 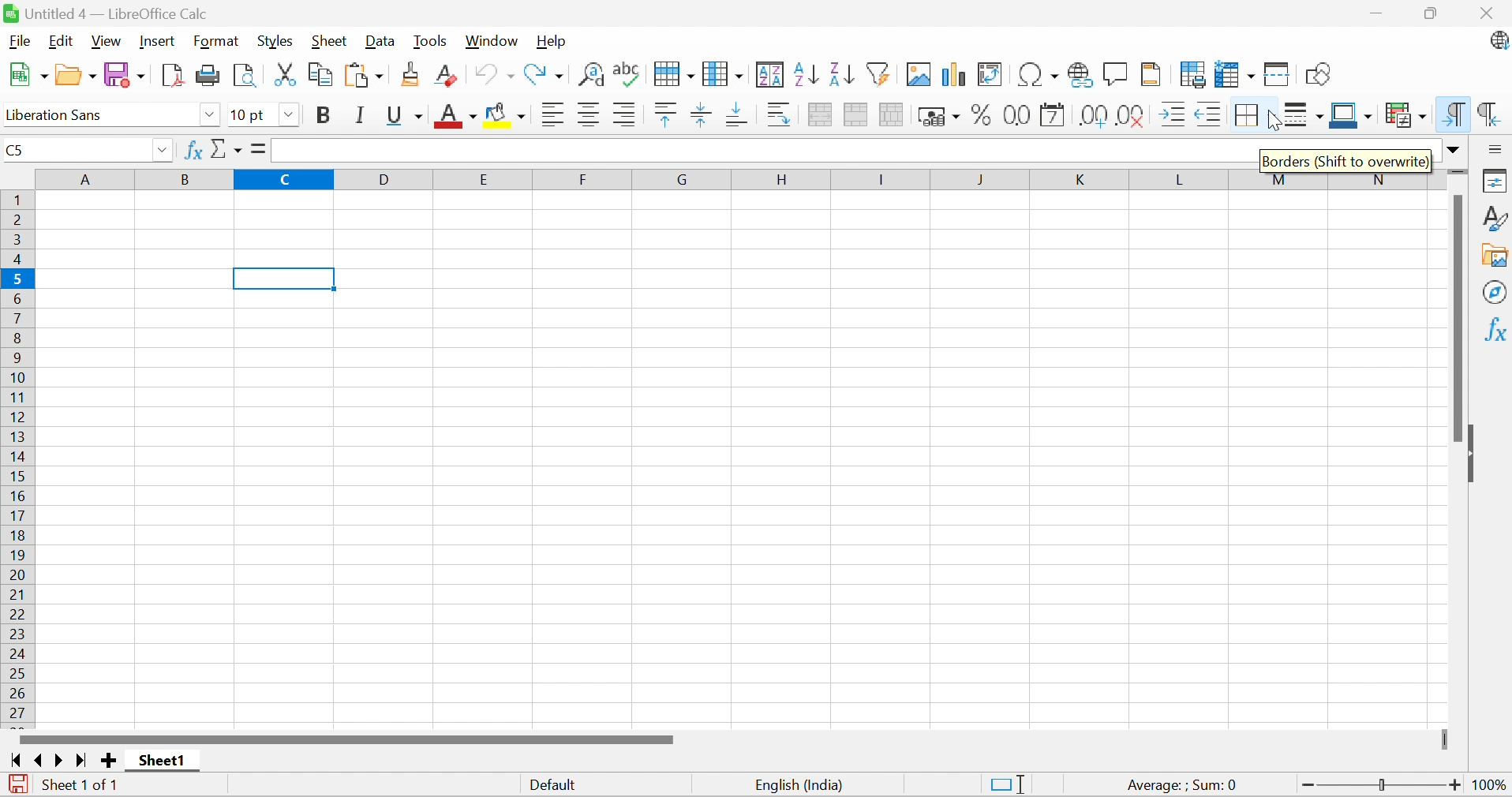 What do you see at coordinates (1195, 77) in the screenshot?
I see `Define print area` at bounding box center [1195, 77].